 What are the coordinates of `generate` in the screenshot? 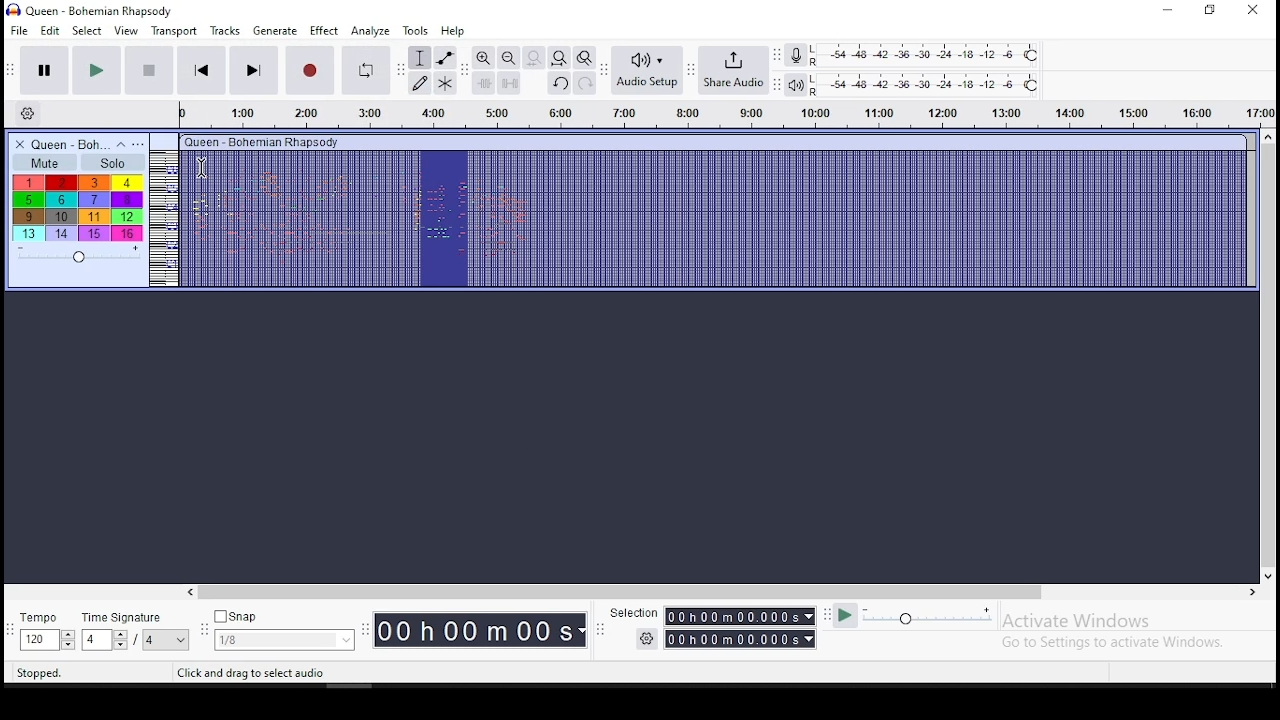 It's located at (275, 31).